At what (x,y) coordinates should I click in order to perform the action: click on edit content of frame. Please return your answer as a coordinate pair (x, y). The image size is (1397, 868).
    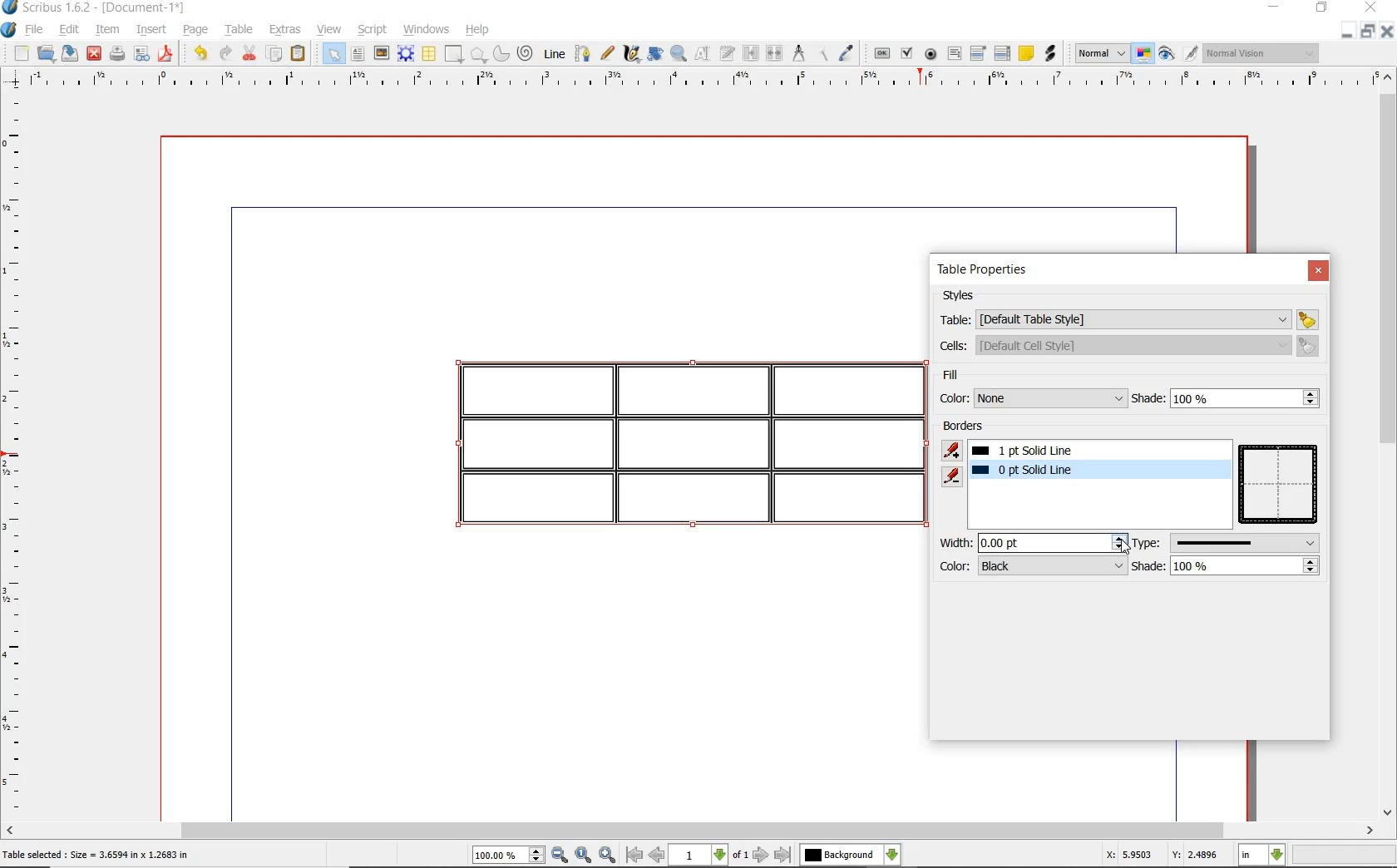
    Looking at the image, I should click on (703, 54).